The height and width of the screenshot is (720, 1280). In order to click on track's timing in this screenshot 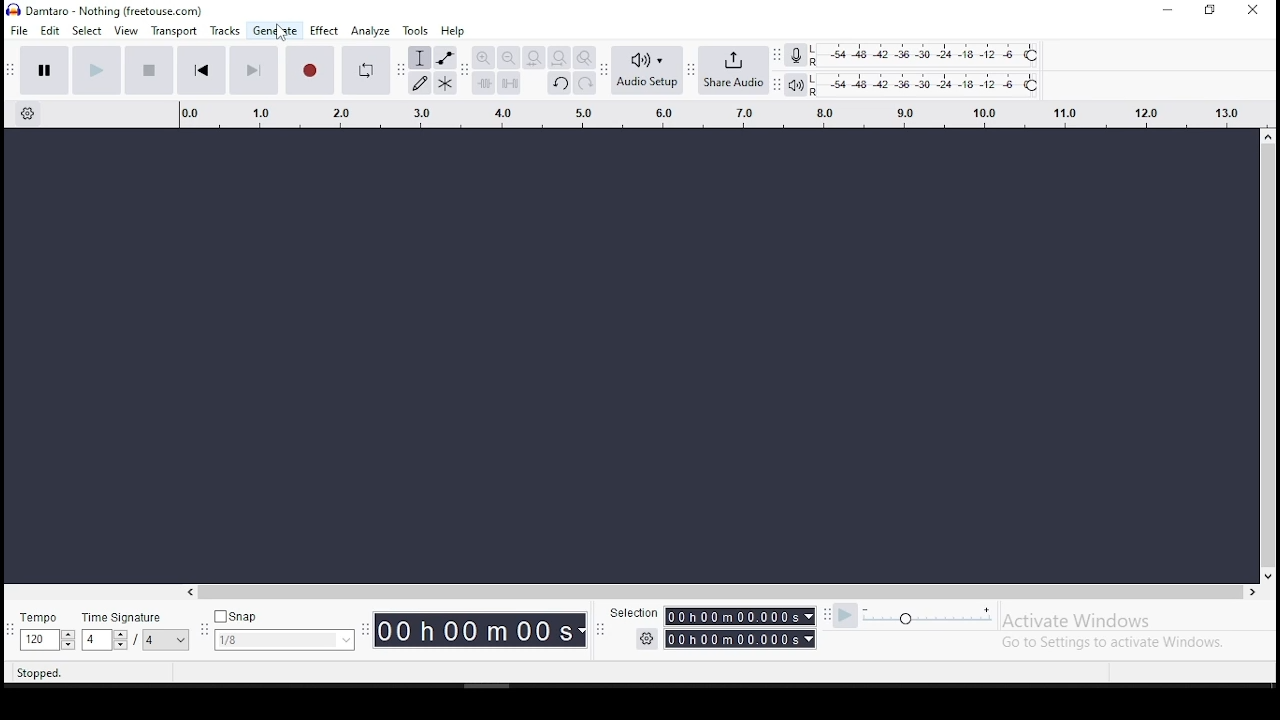, I will do `click(718, 112)`.